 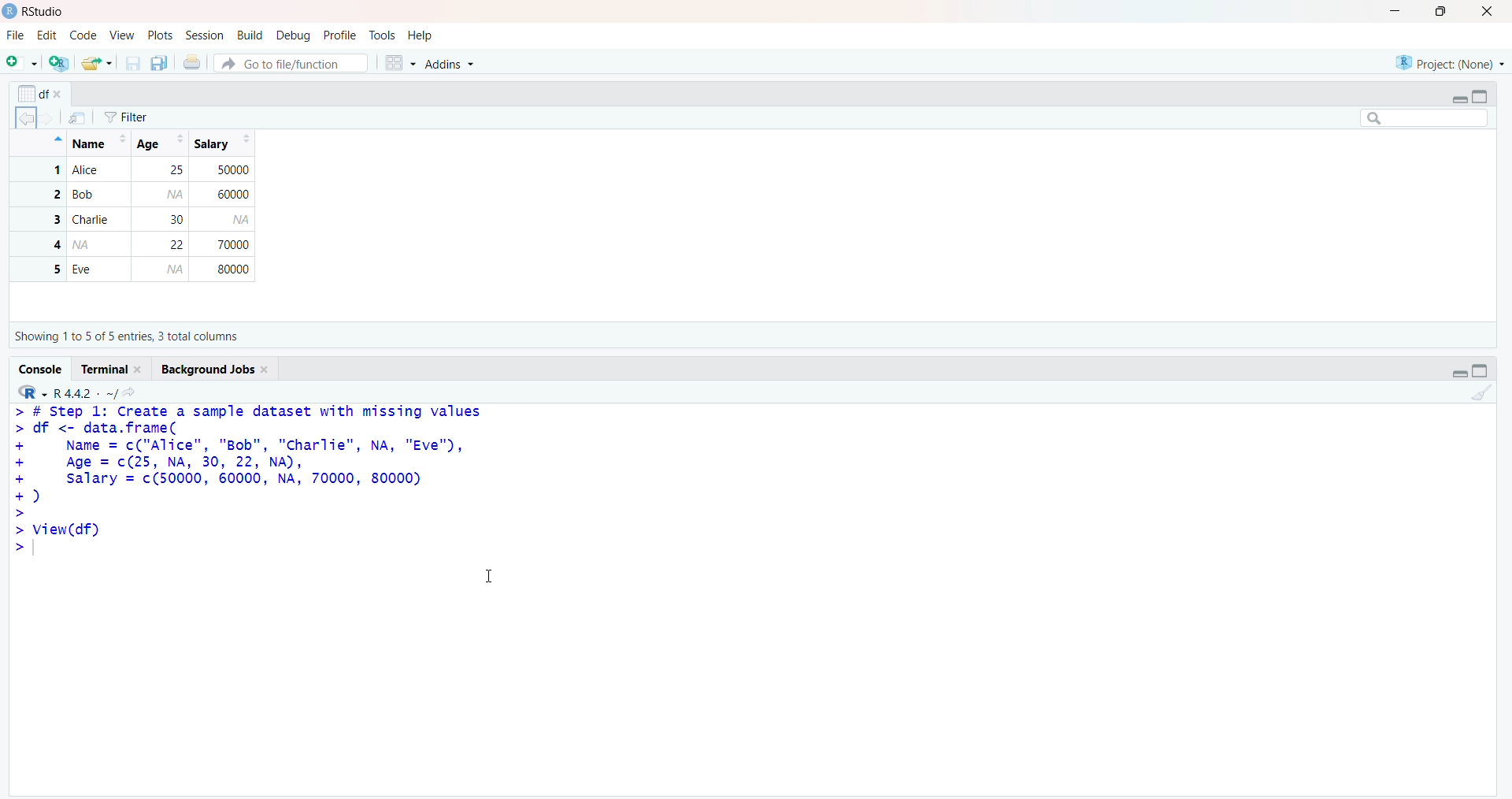 I want to click on File, so click(x=16, y=35).